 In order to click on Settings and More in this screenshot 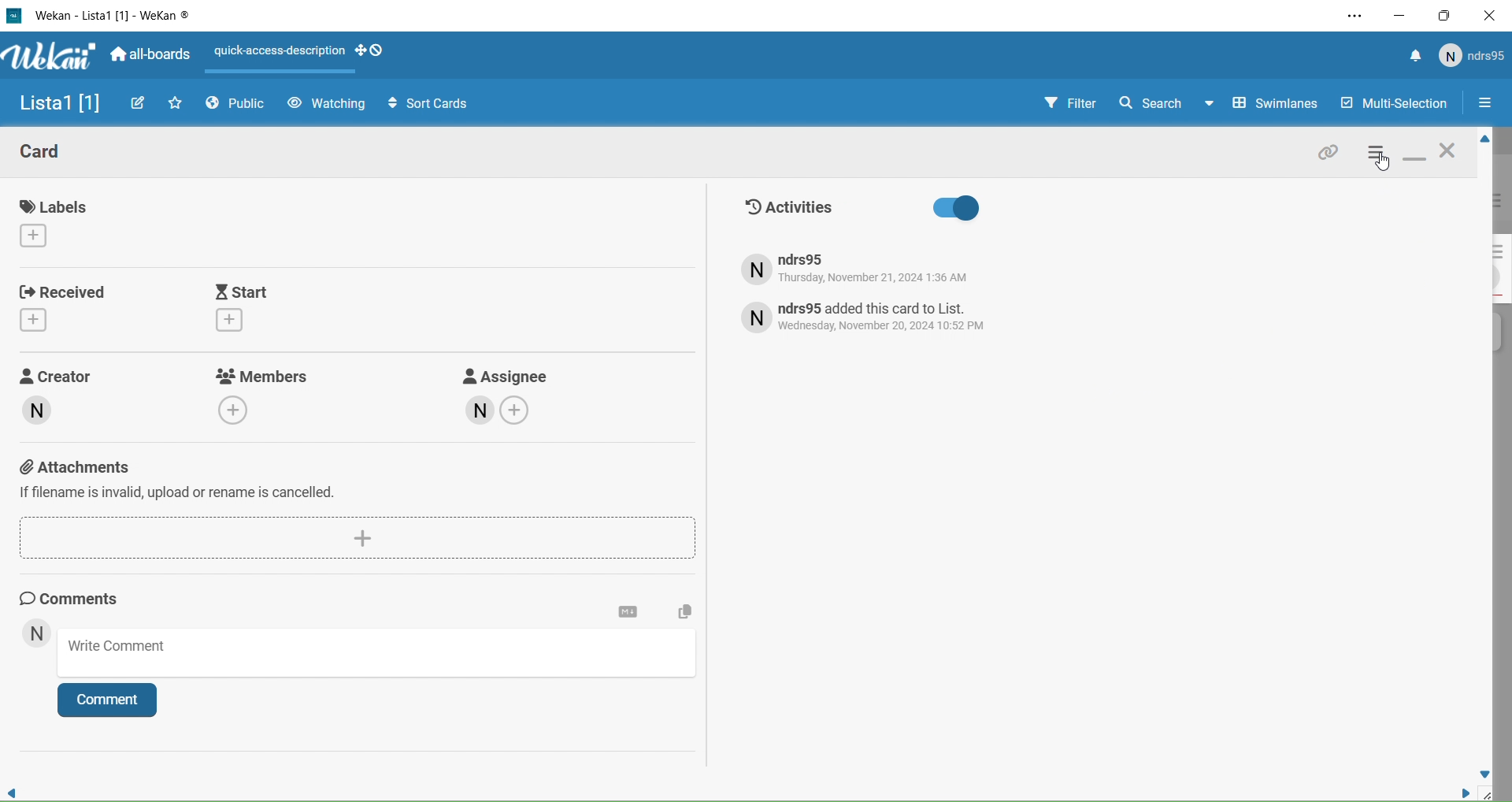, I will do `click(1363, 16)`.